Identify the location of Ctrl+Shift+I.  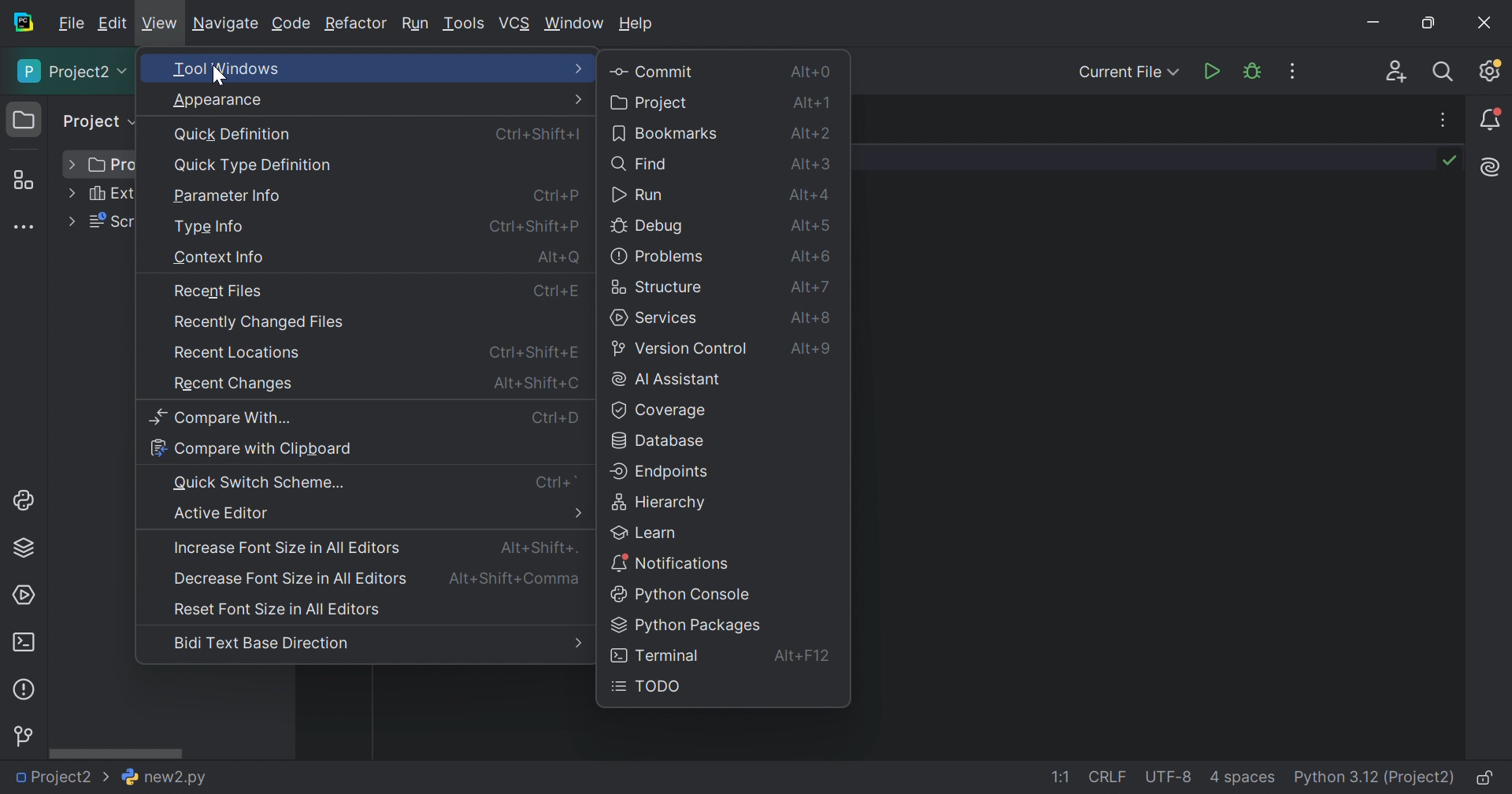
(542, 135).